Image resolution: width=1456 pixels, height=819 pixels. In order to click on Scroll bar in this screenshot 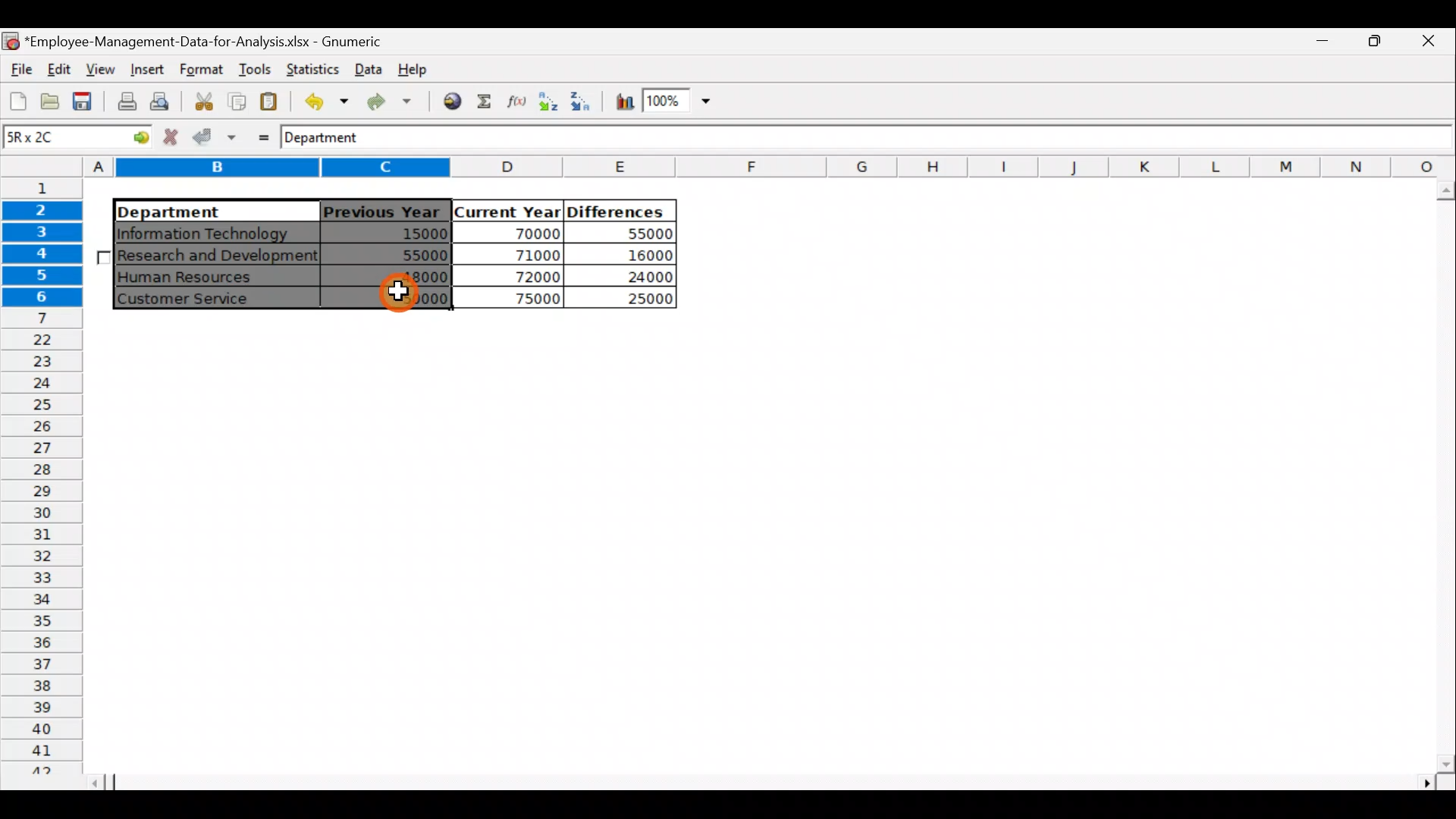, I will do `click(1442, 477)`.